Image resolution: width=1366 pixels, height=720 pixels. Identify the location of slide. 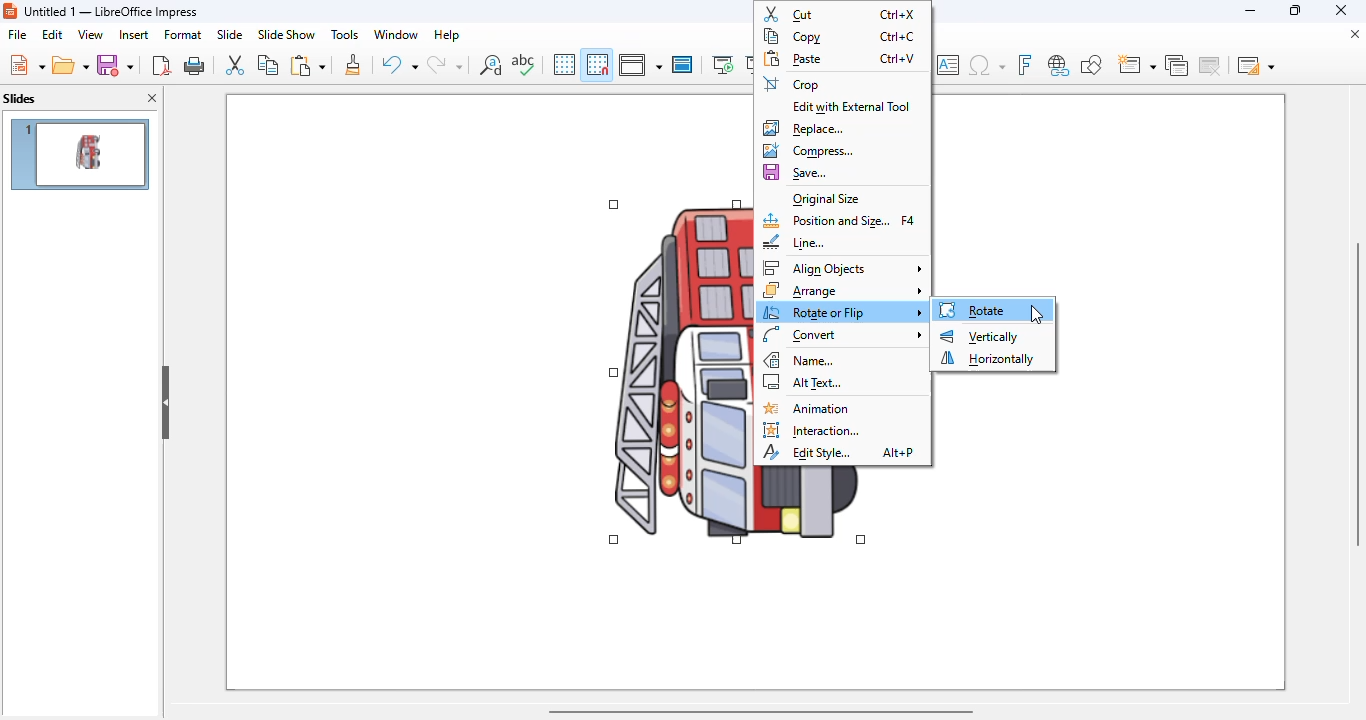
(230, 34).